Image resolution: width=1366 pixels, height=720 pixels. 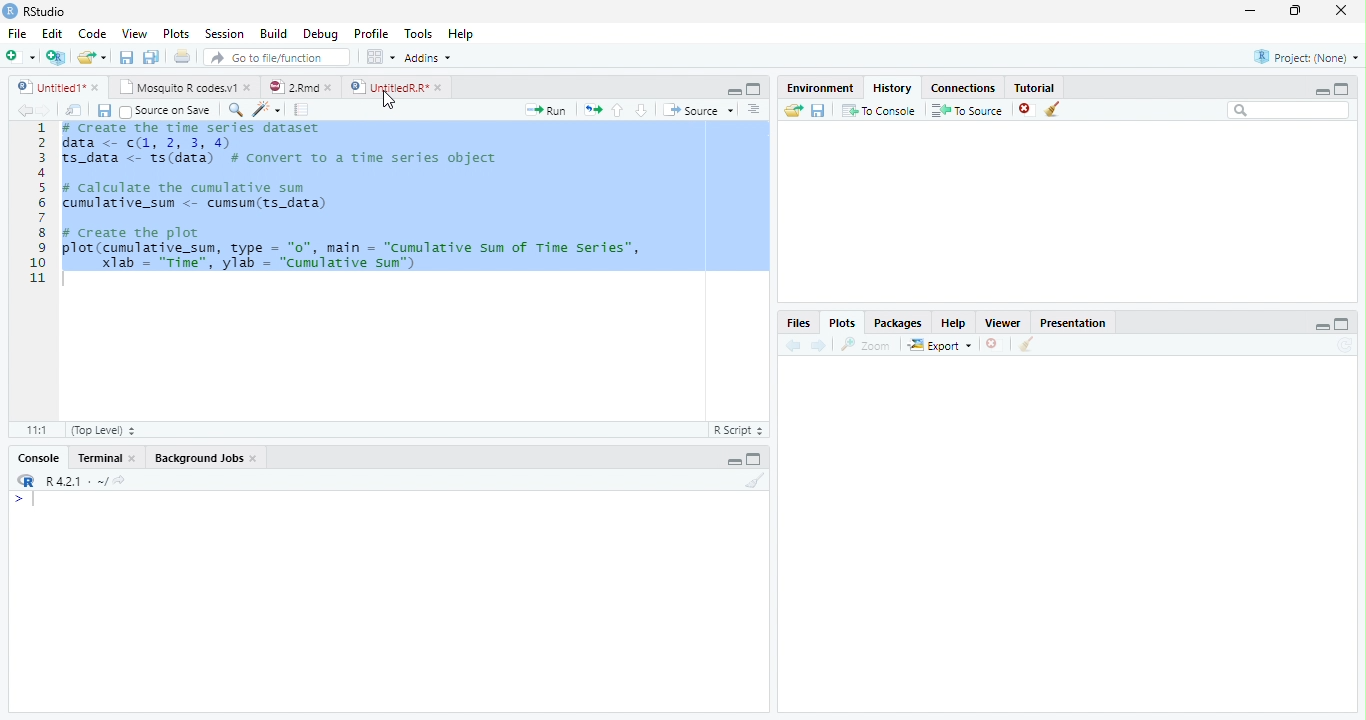 I want to click on Files, so click(x=802, y=323).